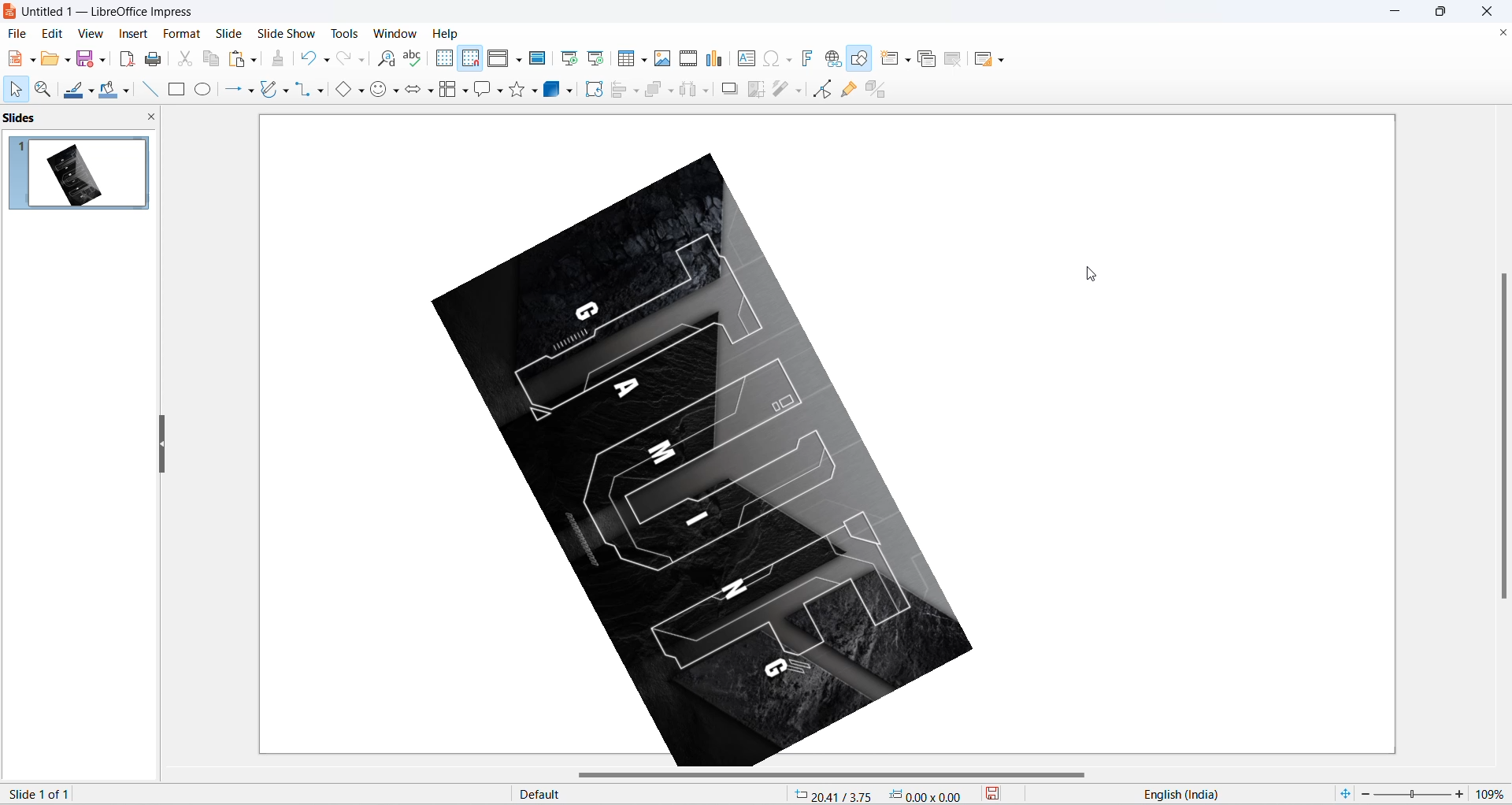  Describe the element at coordinates (125, 92) in the screenshot. I see `fill color options` at that location.